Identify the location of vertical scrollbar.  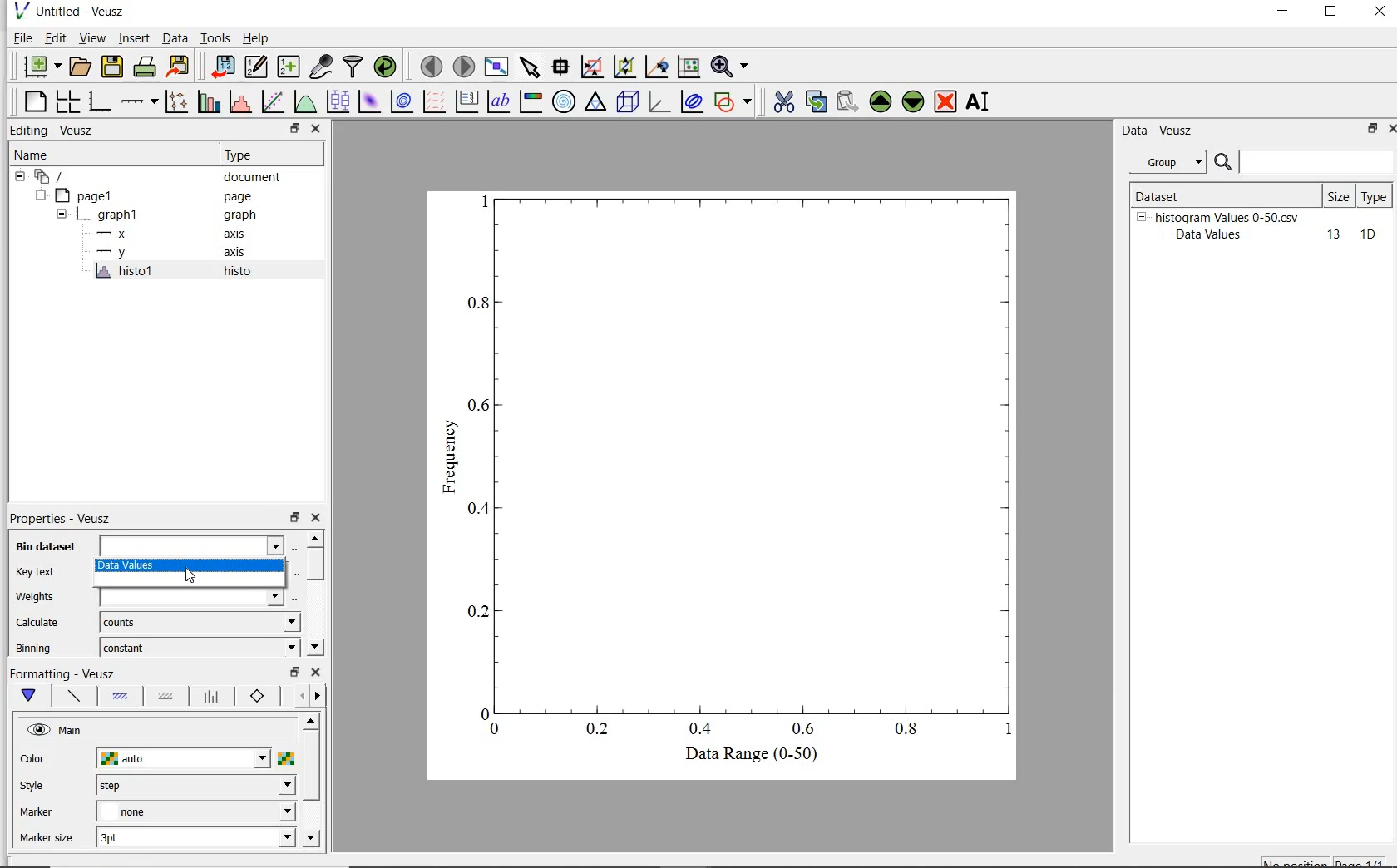
(315, 565).